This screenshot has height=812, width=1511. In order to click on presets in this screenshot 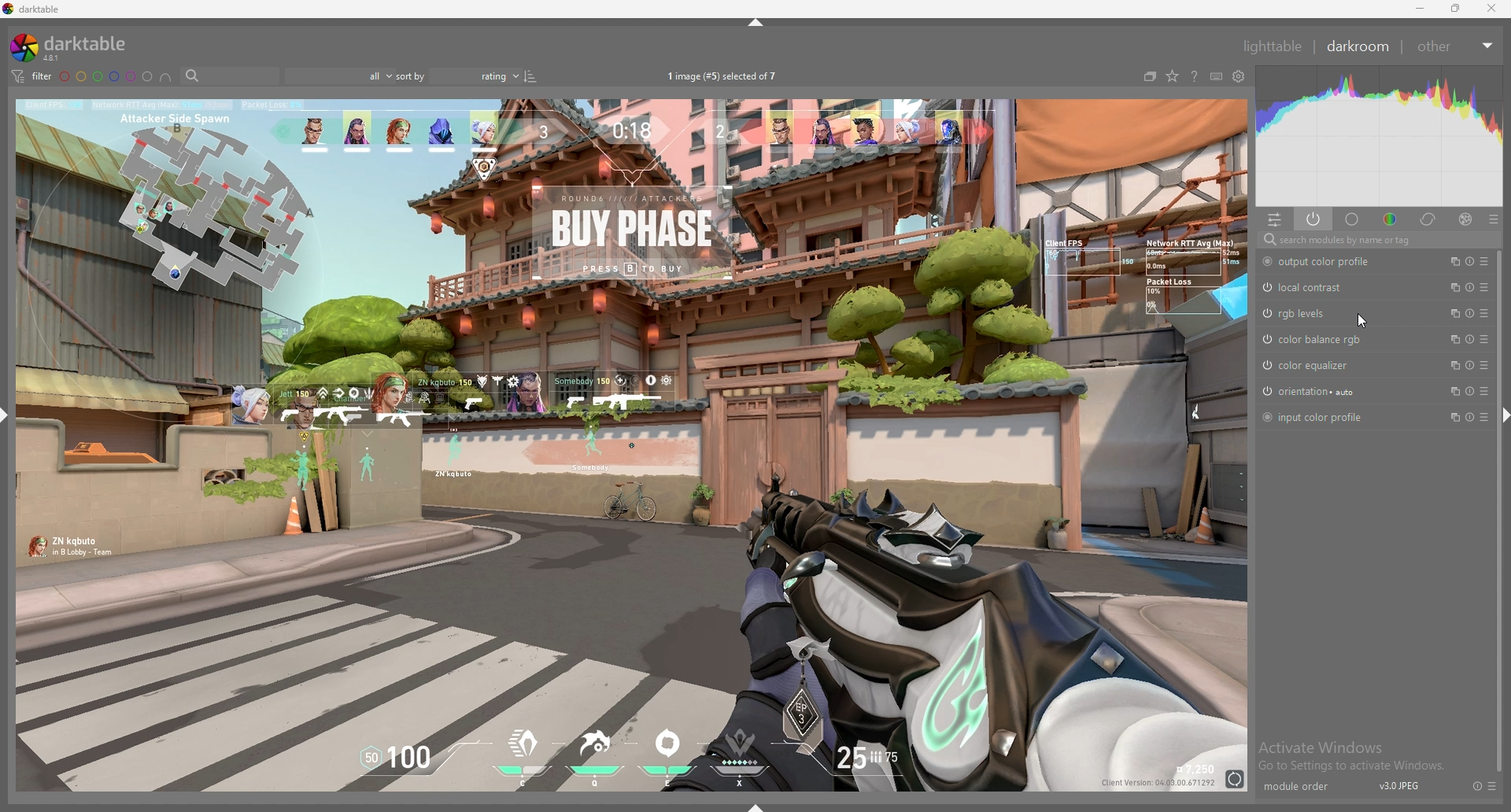, I will do `click(1484, 261)`.